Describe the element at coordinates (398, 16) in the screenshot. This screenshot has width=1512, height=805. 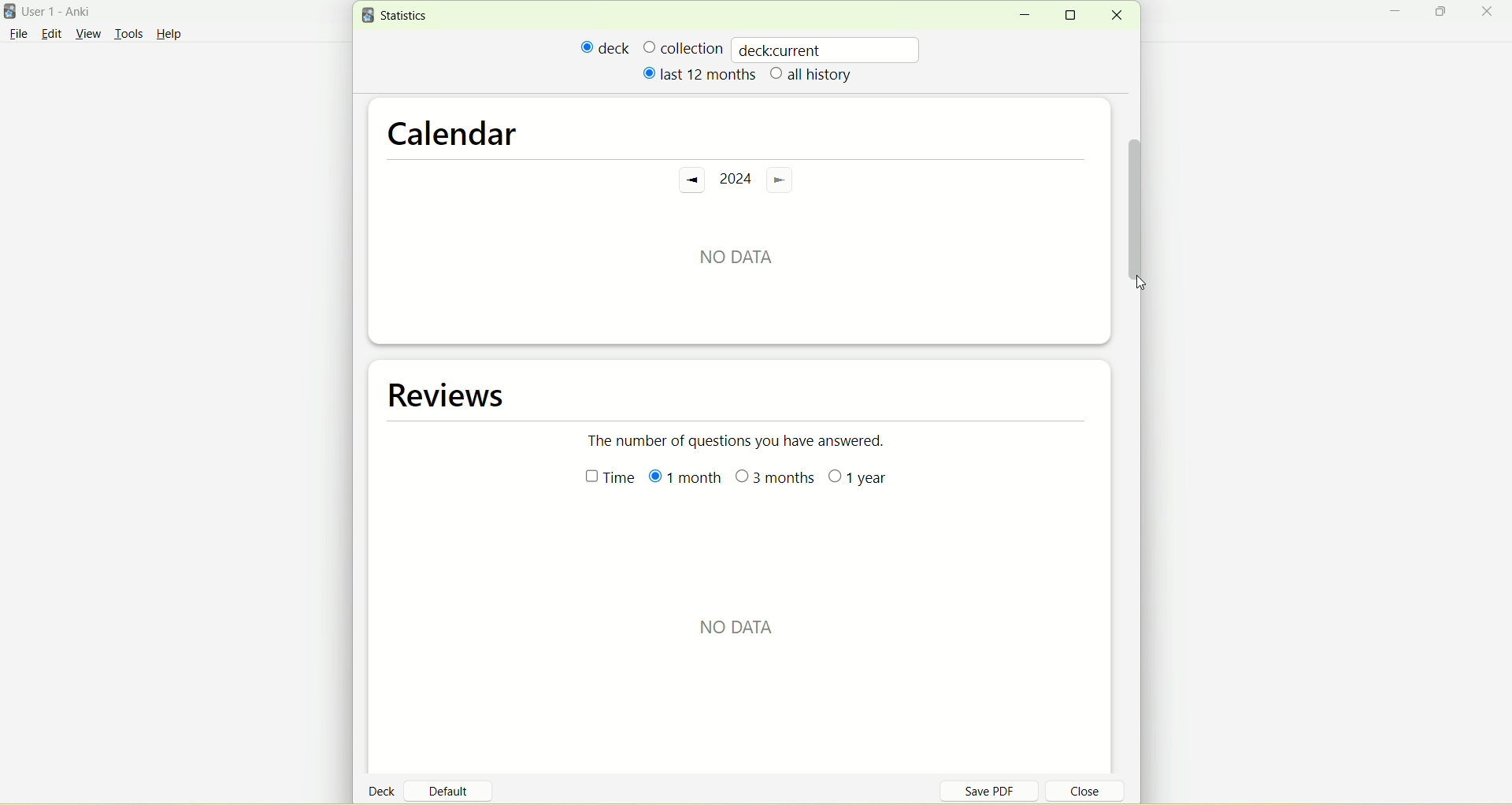
I see `statistics` at that location.